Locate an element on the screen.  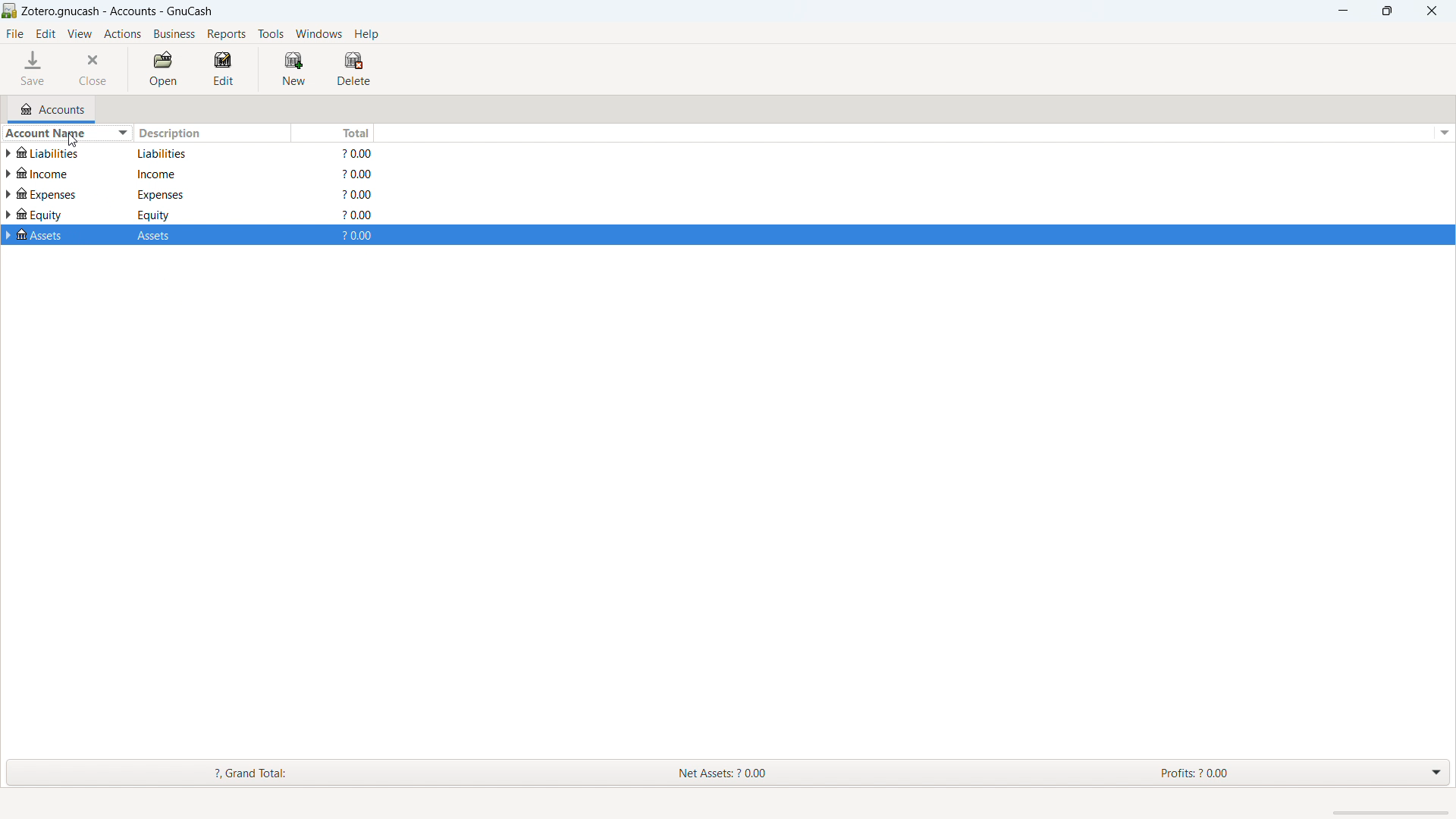
reports is located at coordinates (227, 34).